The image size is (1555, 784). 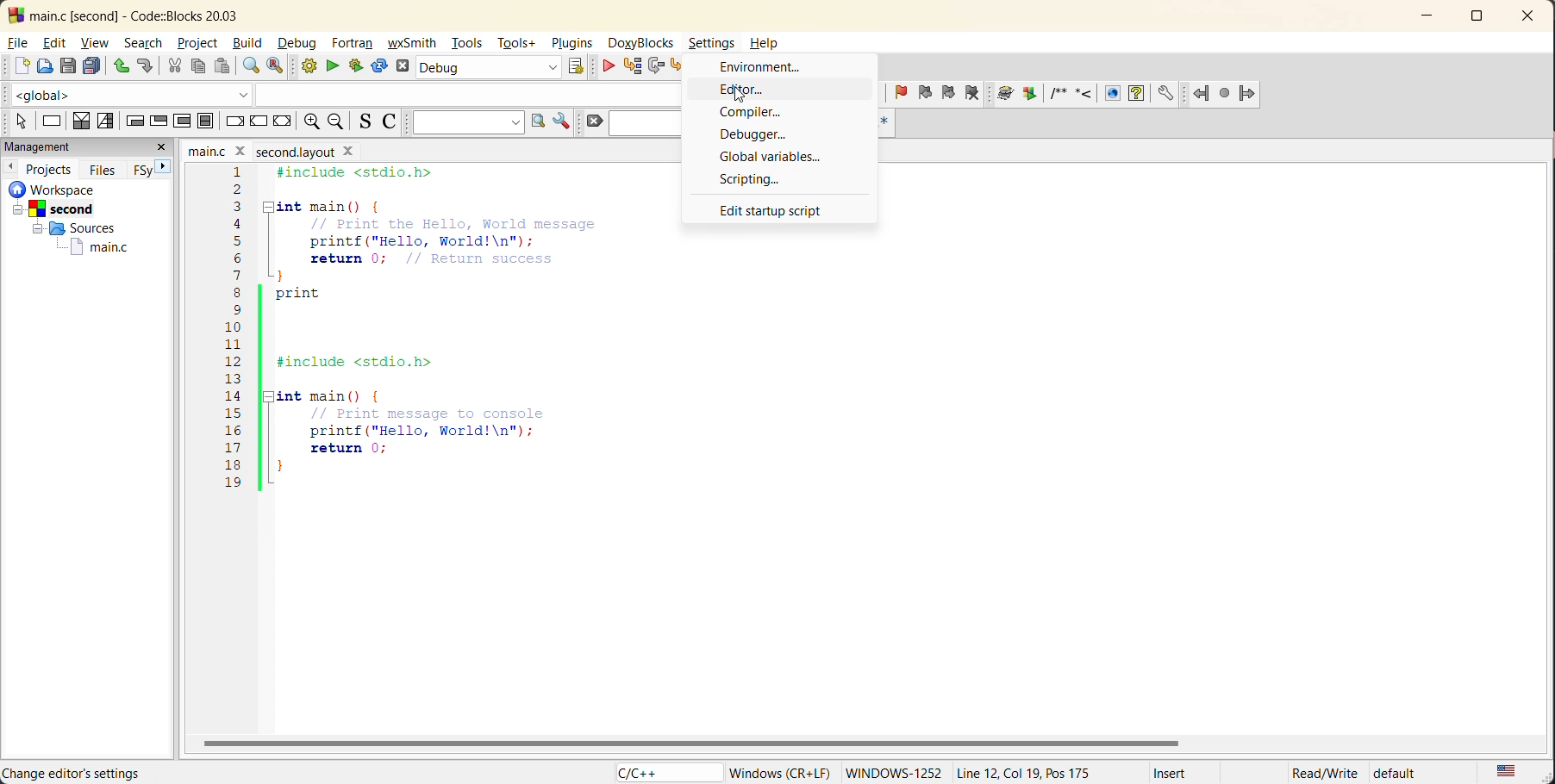 I want to click on zoom in, so click(x=311, y=122).